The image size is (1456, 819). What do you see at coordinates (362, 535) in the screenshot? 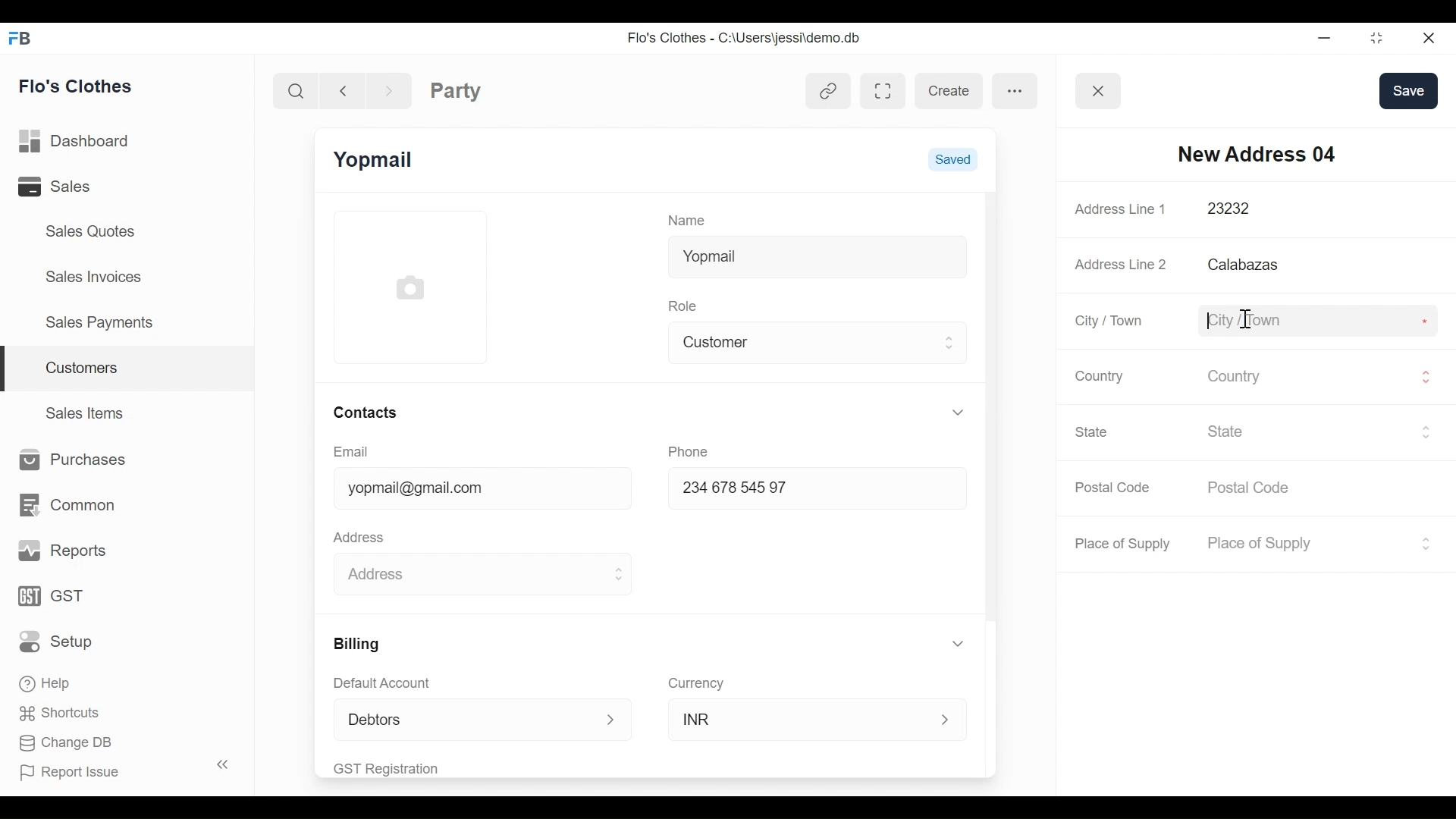
I see `Address` at bounding box center [362, 535].